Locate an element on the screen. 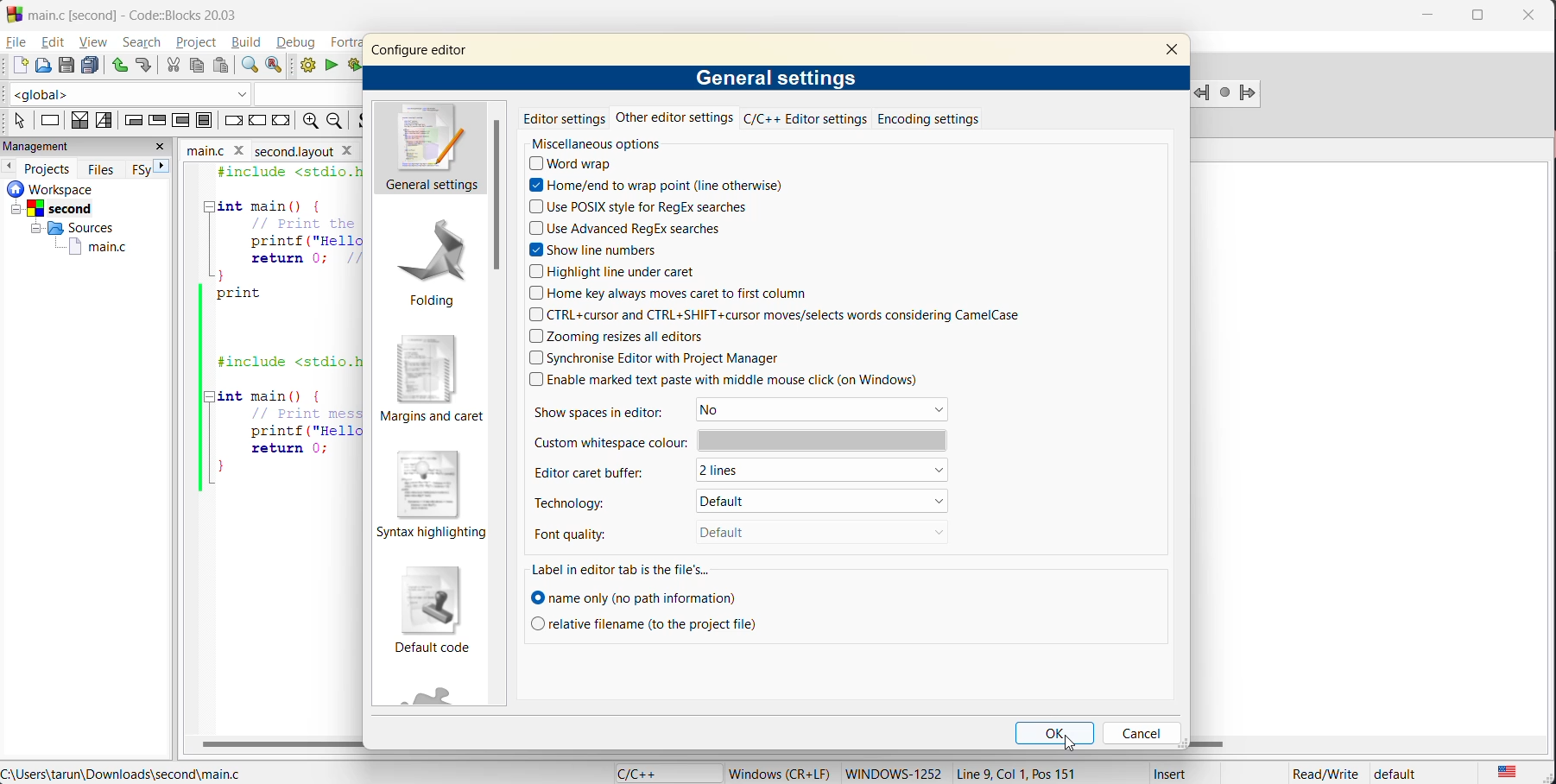 Image resolution: width=1556 pixels, height=784 pixels. previous is located at coordinates (10, 166).